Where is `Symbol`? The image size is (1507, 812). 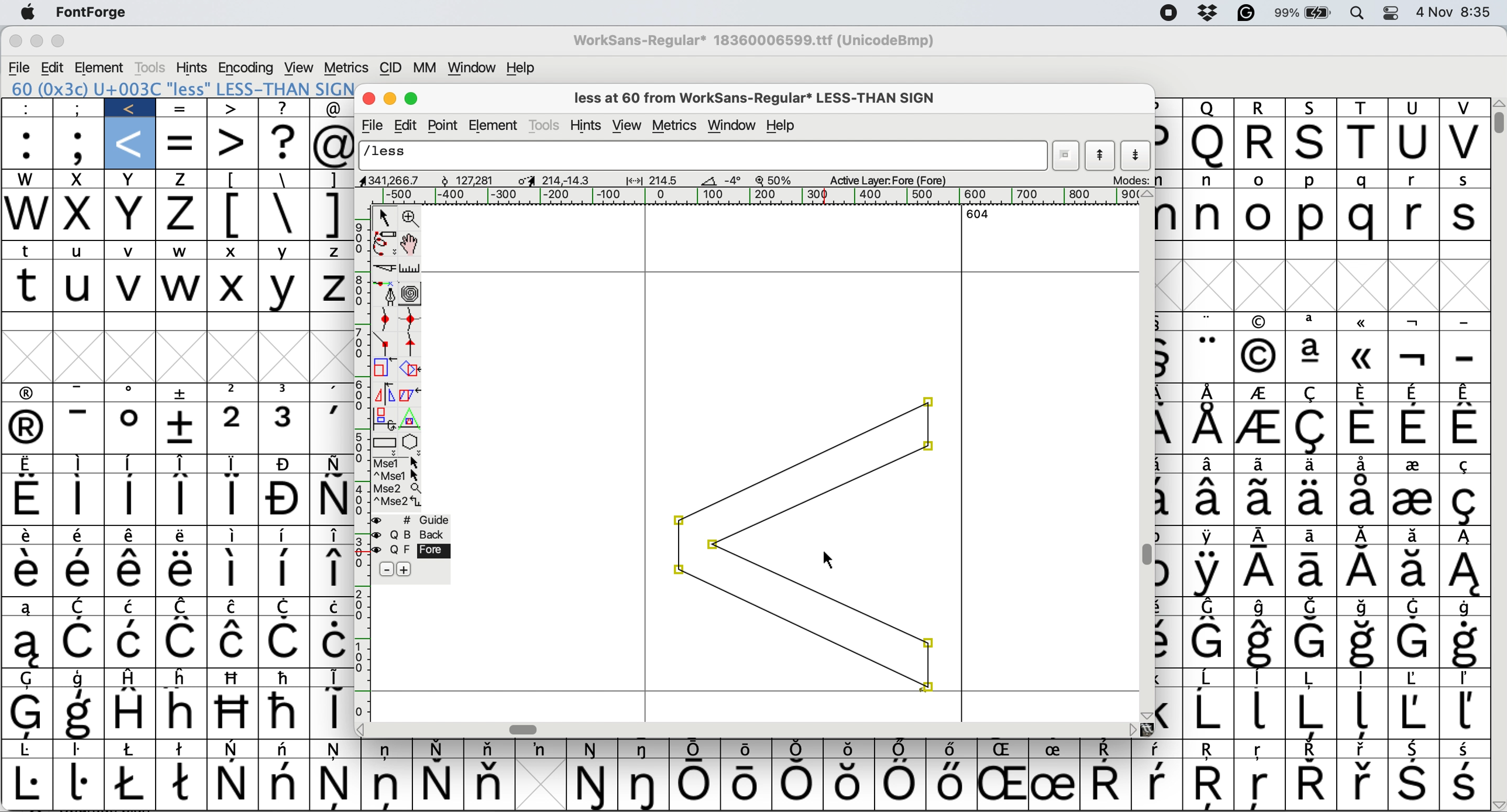 Symbol is located at coordinates (1312, 323).